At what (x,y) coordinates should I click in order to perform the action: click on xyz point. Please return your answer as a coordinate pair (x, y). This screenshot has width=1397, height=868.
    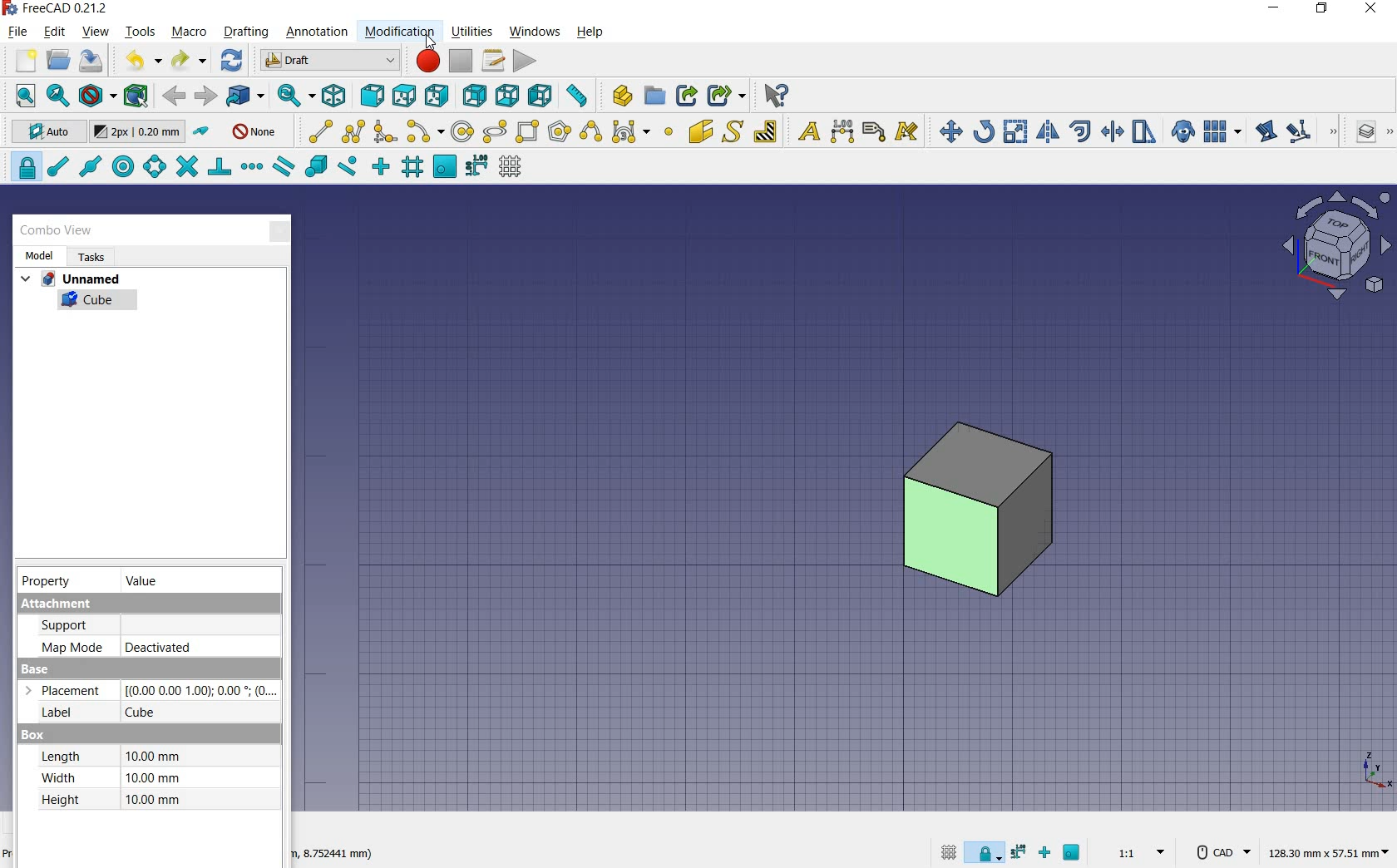
    Looking at the image, I should click on (1376, 771).